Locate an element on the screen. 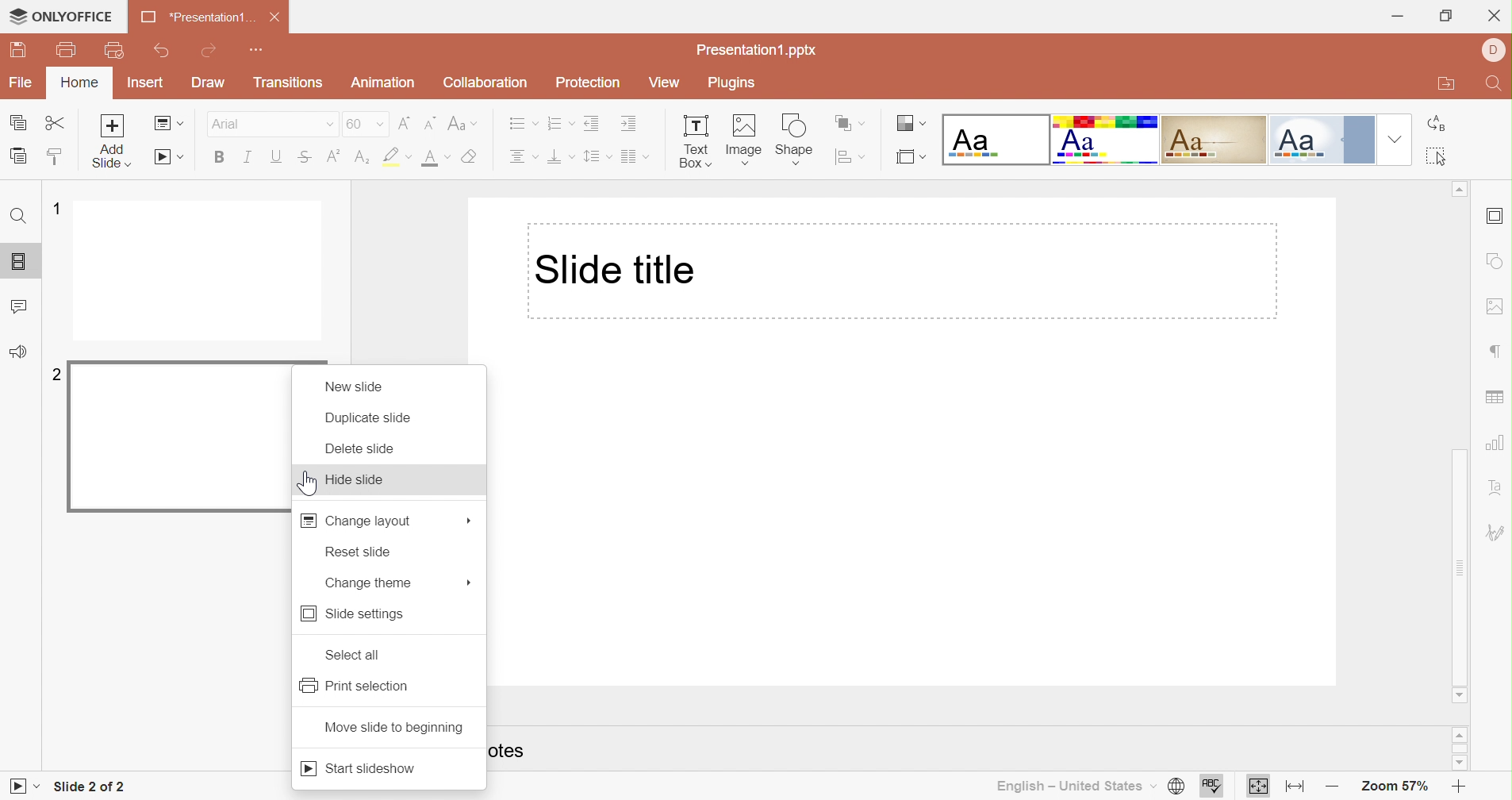 This screenshot has width=1512, height=800. ONLYOFFICE is located at coordinates (62, 17).